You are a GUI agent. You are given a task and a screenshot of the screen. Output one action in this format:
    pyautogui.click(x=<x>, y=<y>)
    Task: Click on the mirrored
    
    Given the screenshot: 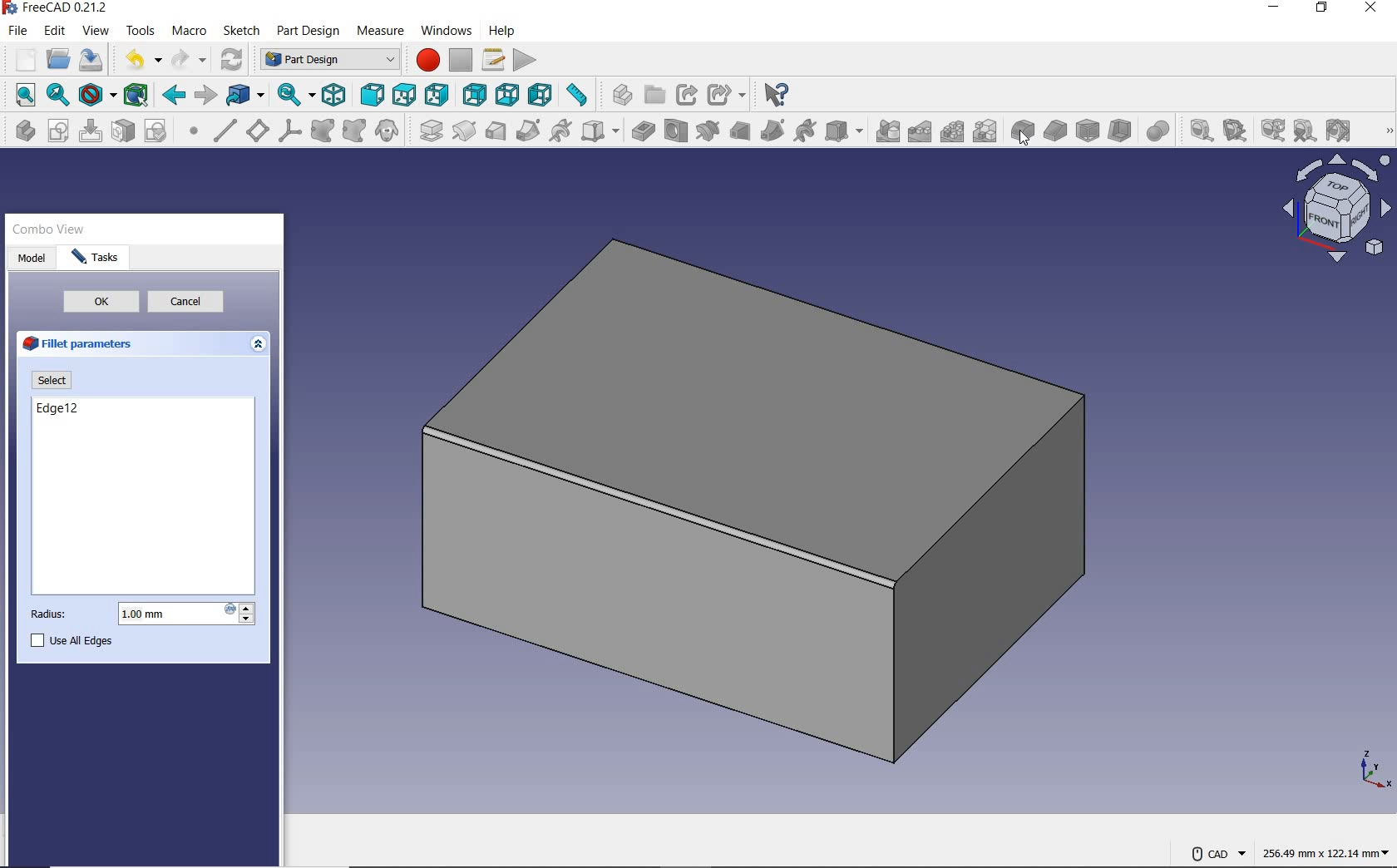 What is the action you would take?
    pyautogui.click(x=885, y=131)
    